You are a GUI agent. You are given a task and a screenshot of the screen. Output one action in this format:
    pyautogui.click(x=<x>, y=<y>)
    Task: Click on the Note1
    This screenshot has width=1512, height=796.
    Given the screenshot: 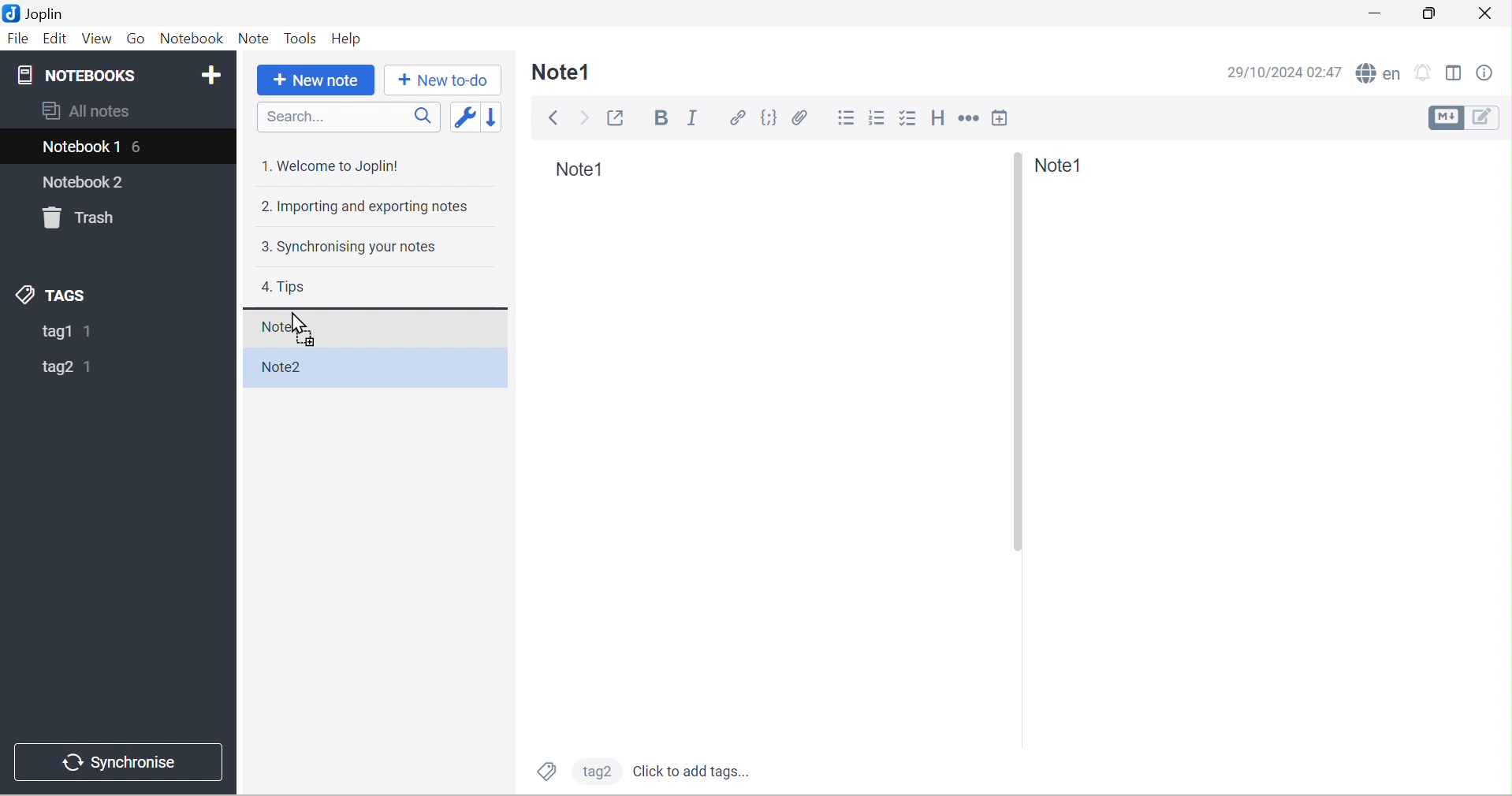 What is the action you would take?
    pyautogui.click(x=581, y=169)
    